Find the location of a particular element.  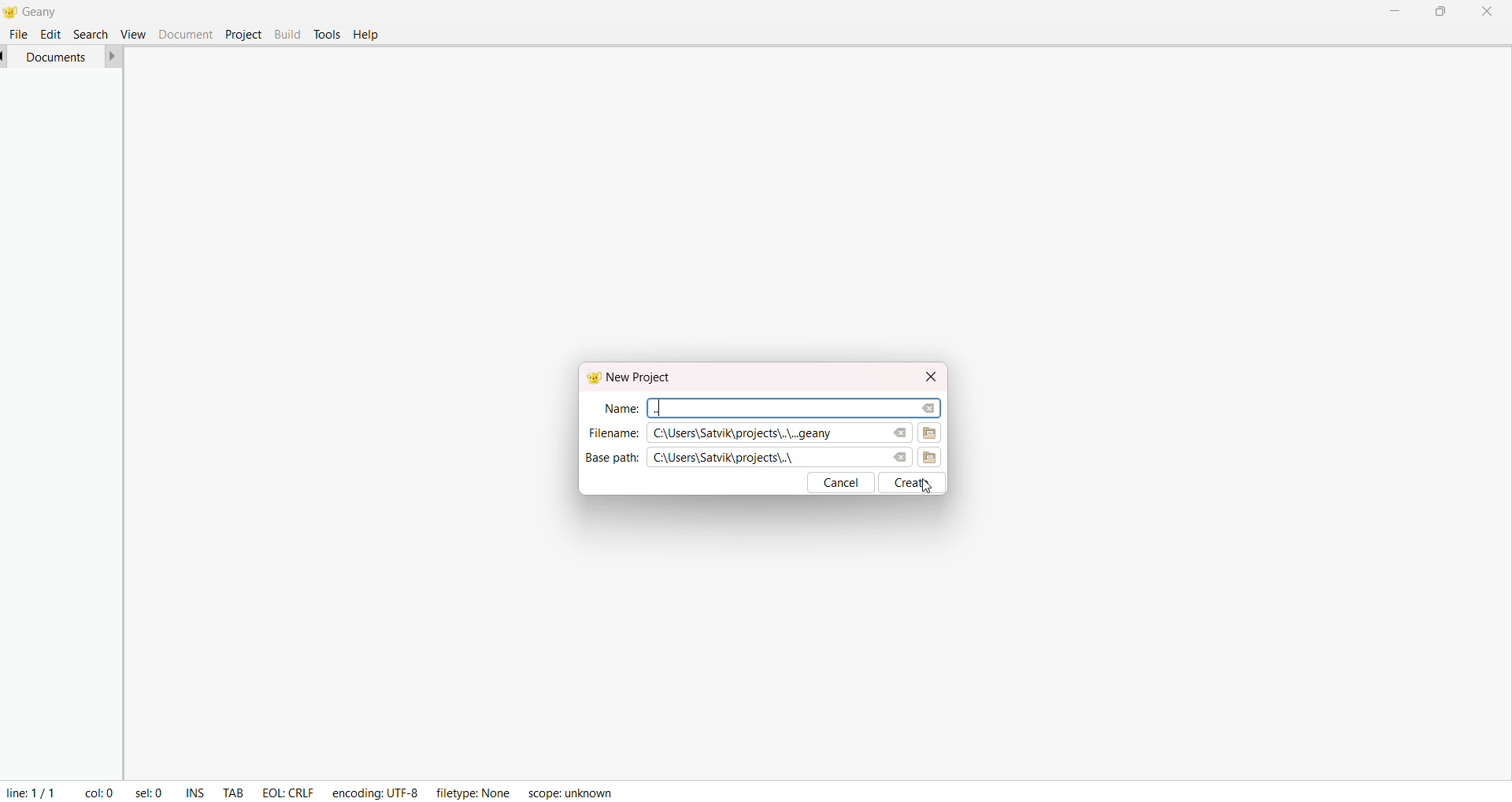

tools is located at coordinates (326, 34).